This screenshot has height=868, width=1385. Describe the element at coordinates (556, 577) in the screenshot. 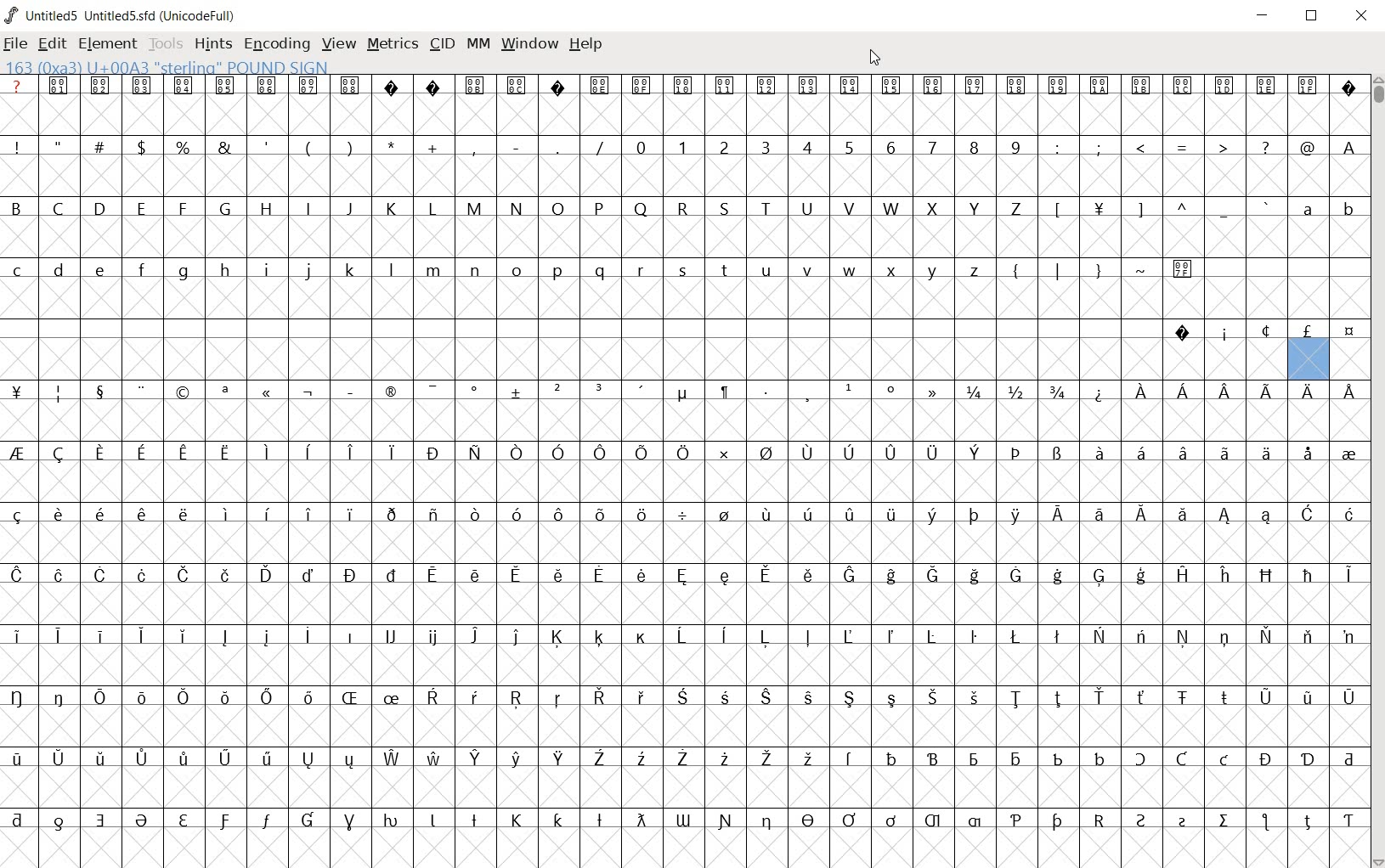

I see `Symbol` at that location.